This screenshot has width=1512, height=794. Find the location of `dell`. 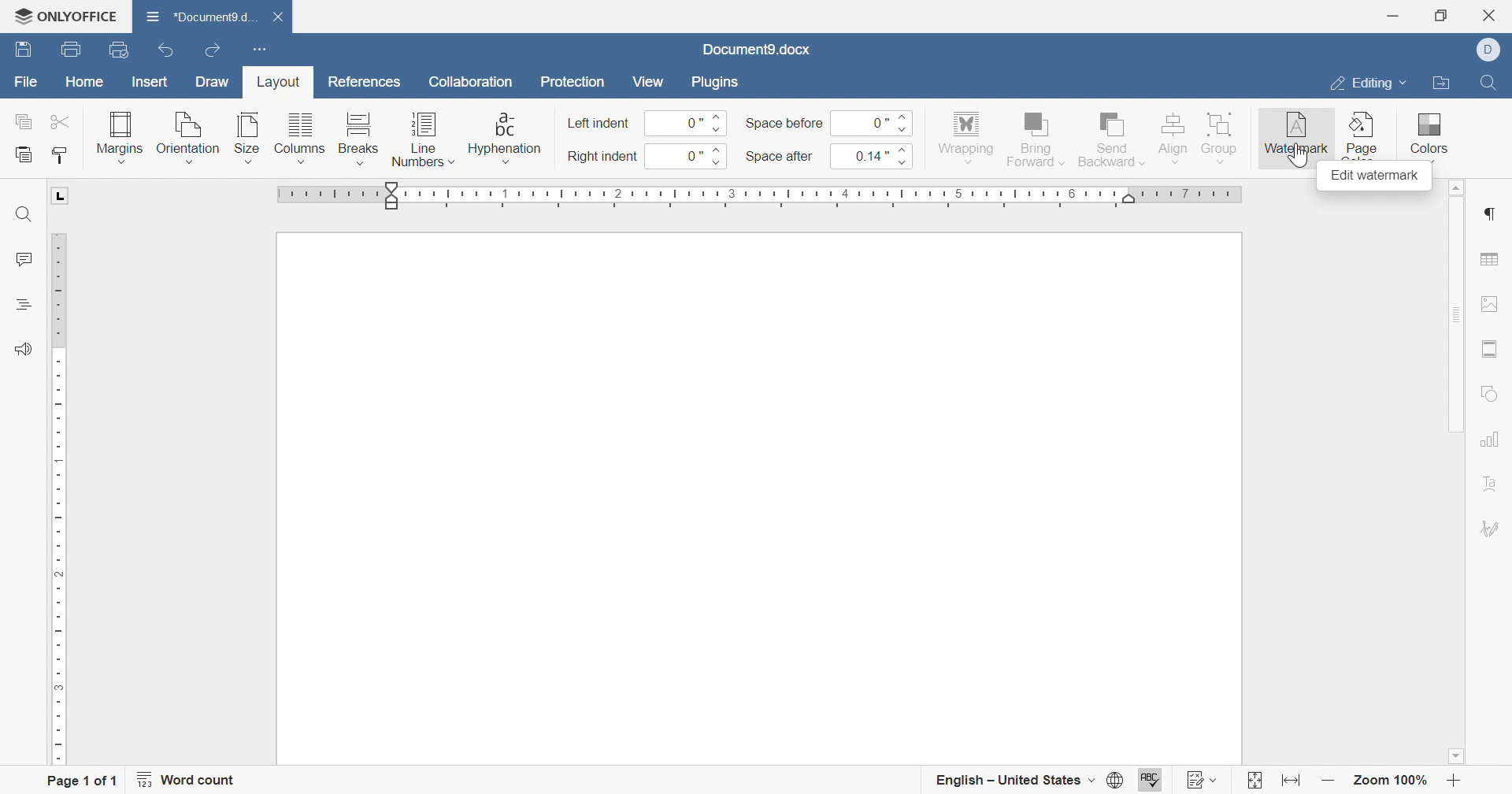

dell is located at coordinates (1494, 50).